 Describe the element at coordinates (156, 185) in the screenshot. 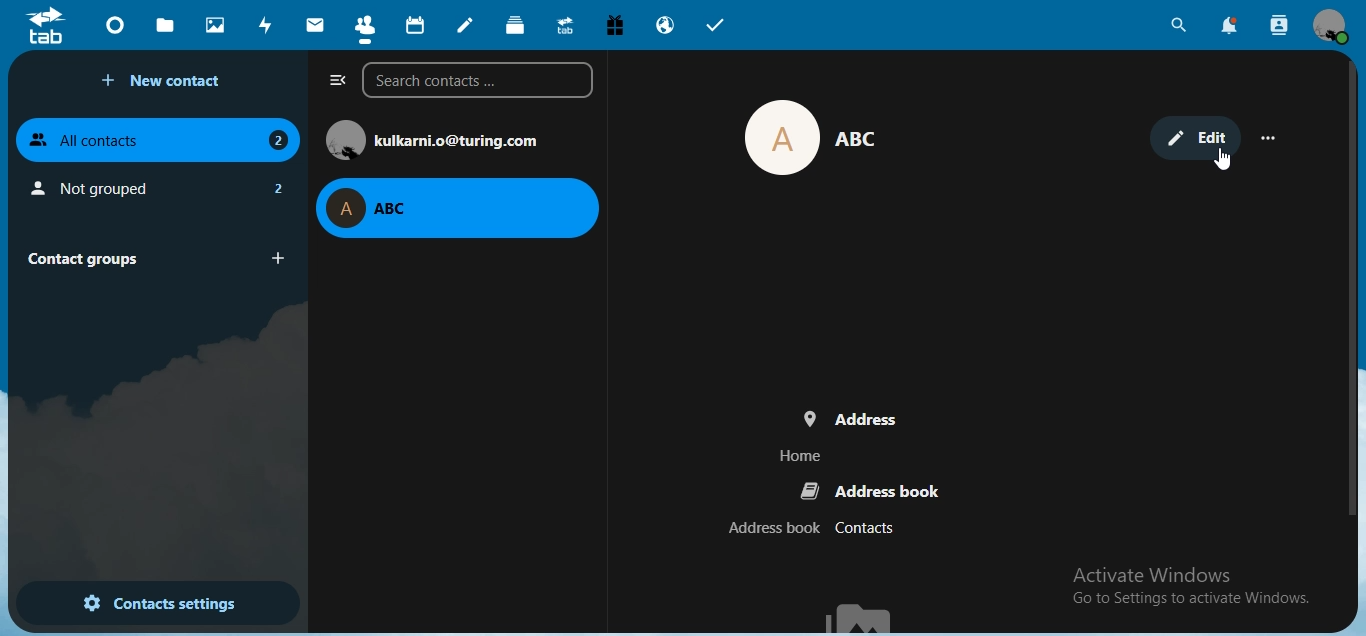

I see `not grouped` at that location.